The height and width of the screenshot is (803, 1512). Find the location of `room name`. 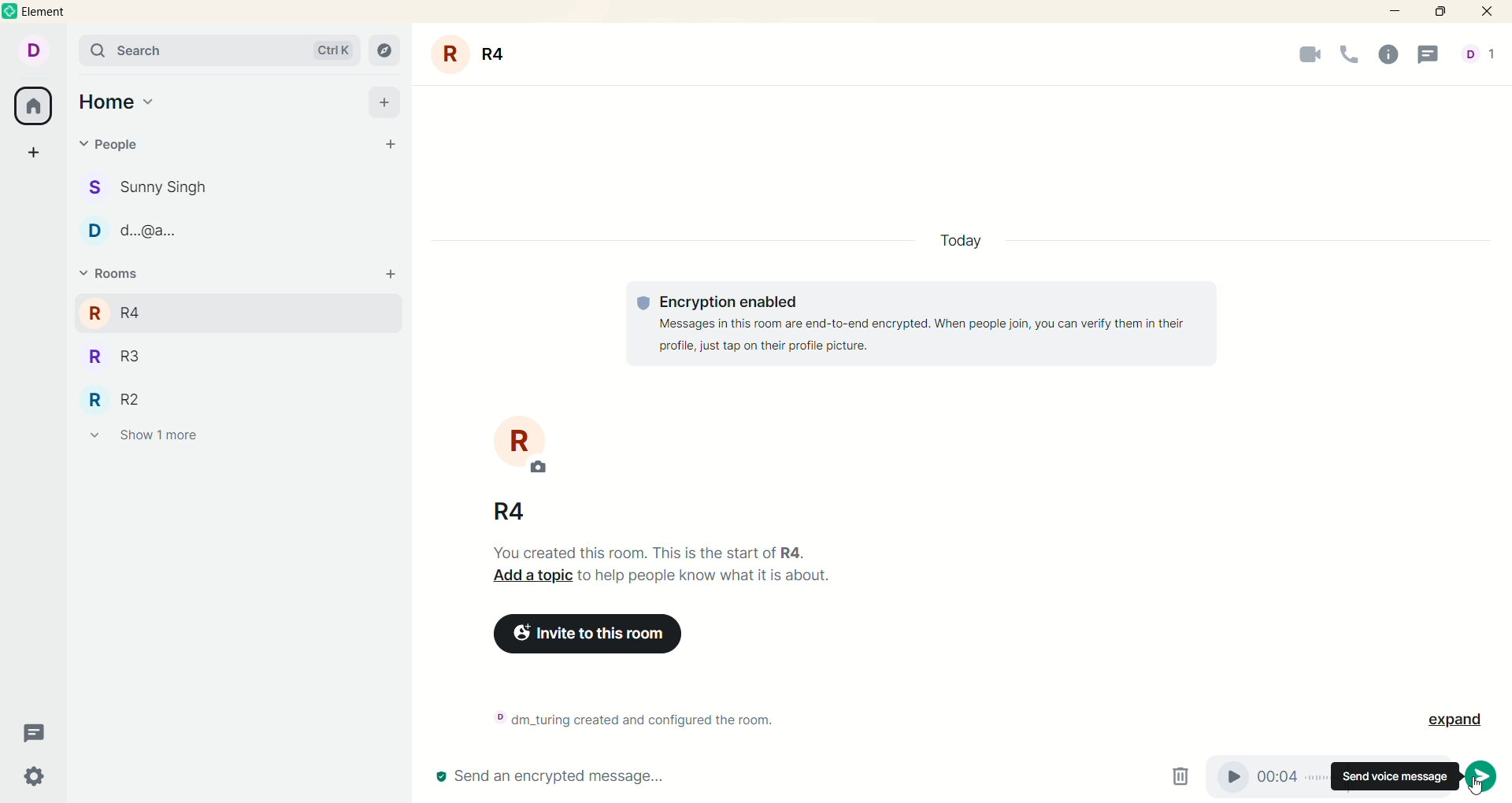

room name is located at coordinates (513, 511).